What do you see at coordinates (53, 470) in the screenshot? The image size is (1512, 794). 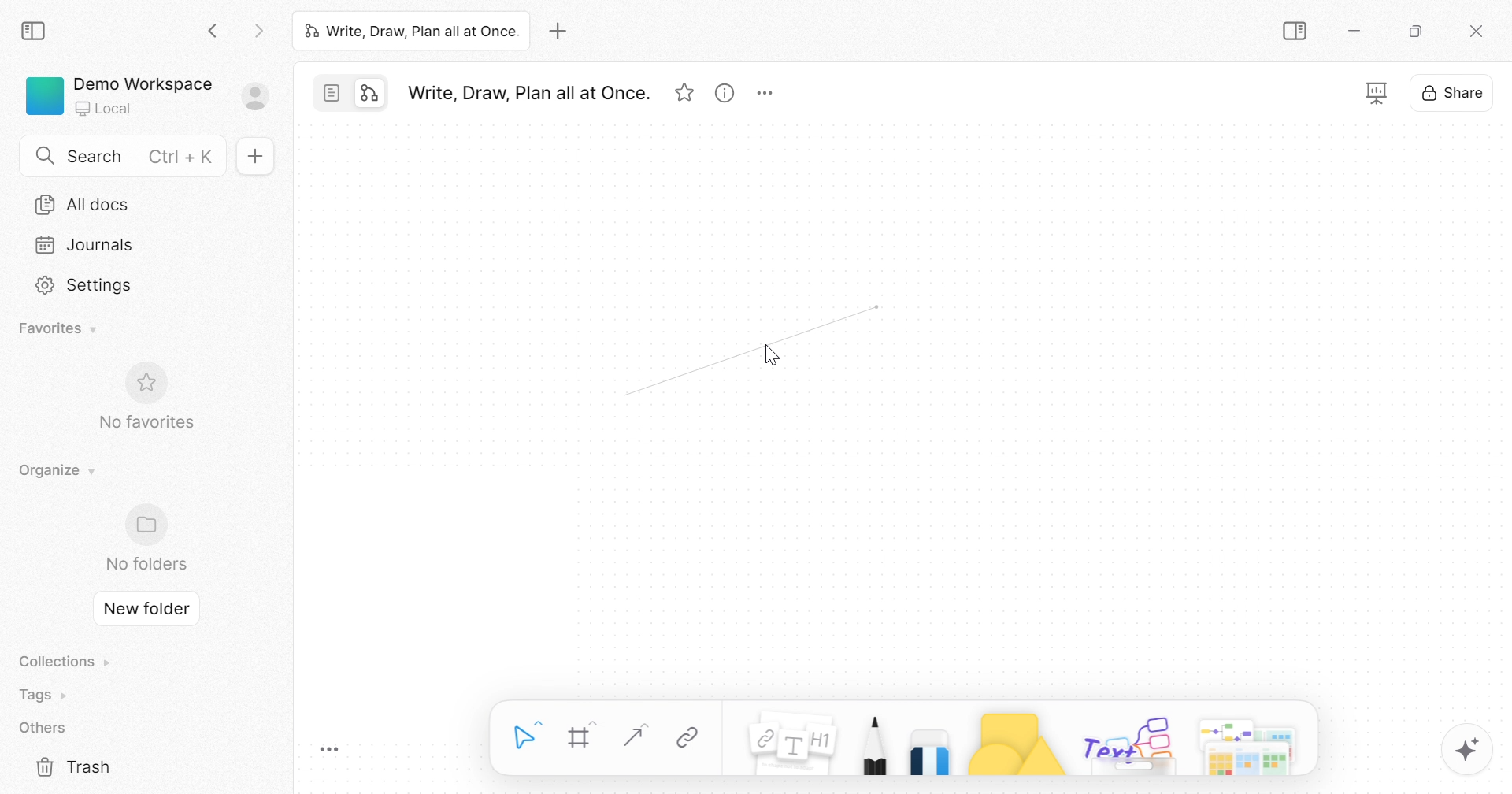 I see `Organize` at bounding box center [53, 470].